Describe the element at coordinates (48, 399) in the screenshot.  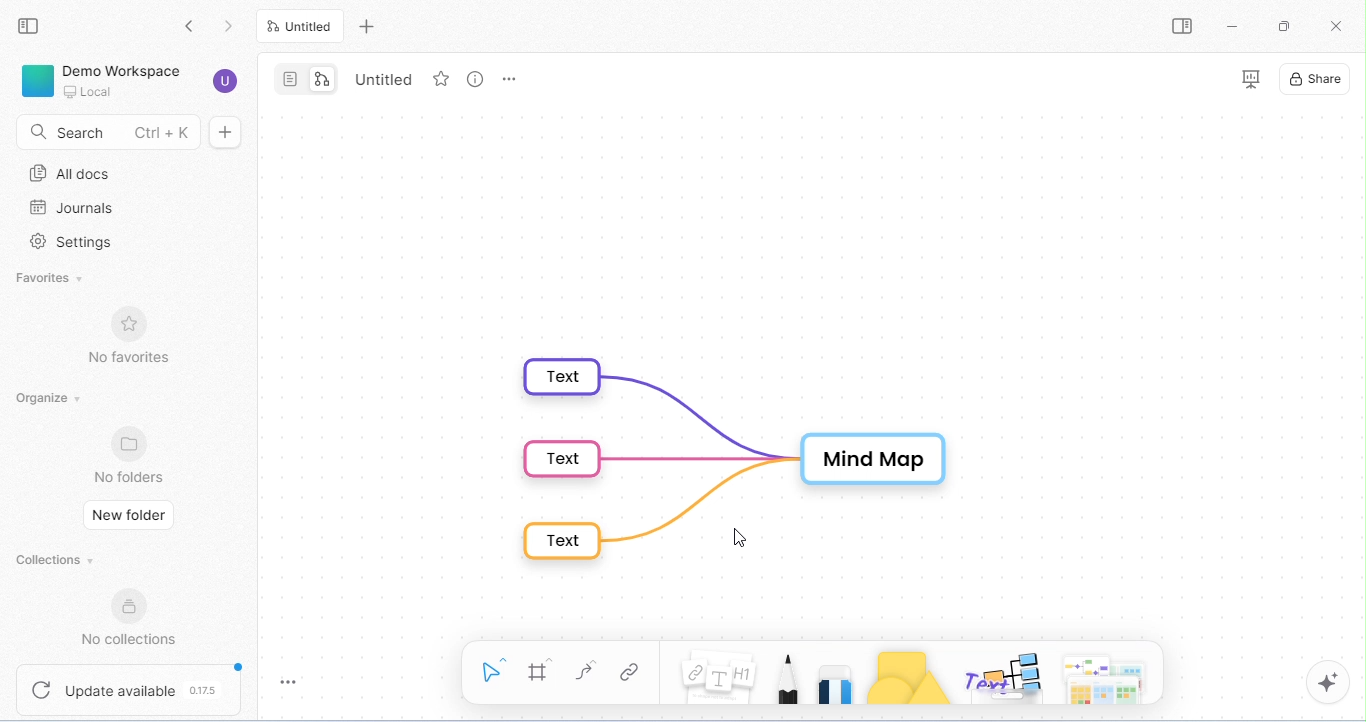
I see `organize` at that location.